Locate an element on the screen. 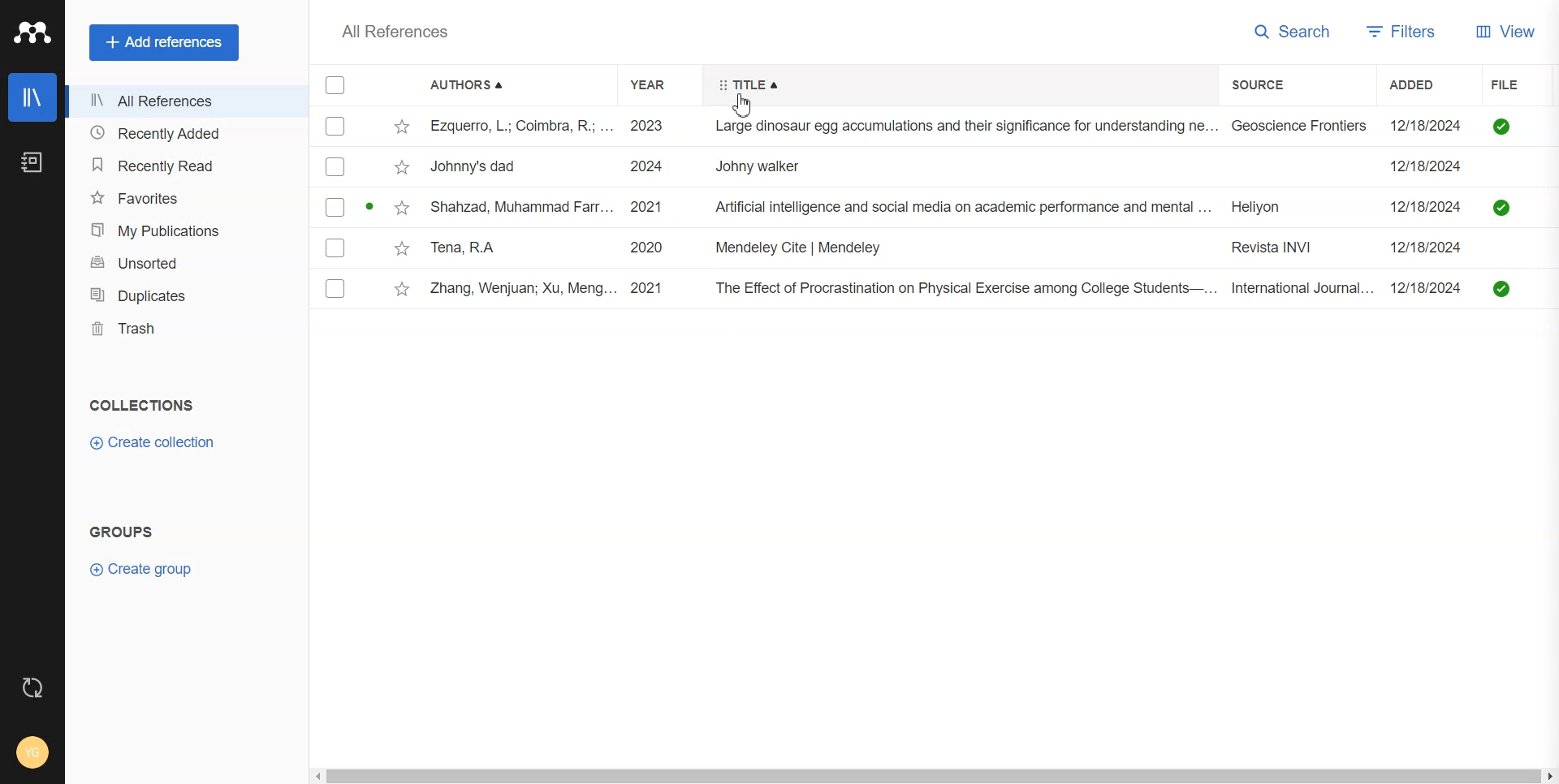 This screenshot has width=1559, height=784. File is located at coordinates (994, 248).